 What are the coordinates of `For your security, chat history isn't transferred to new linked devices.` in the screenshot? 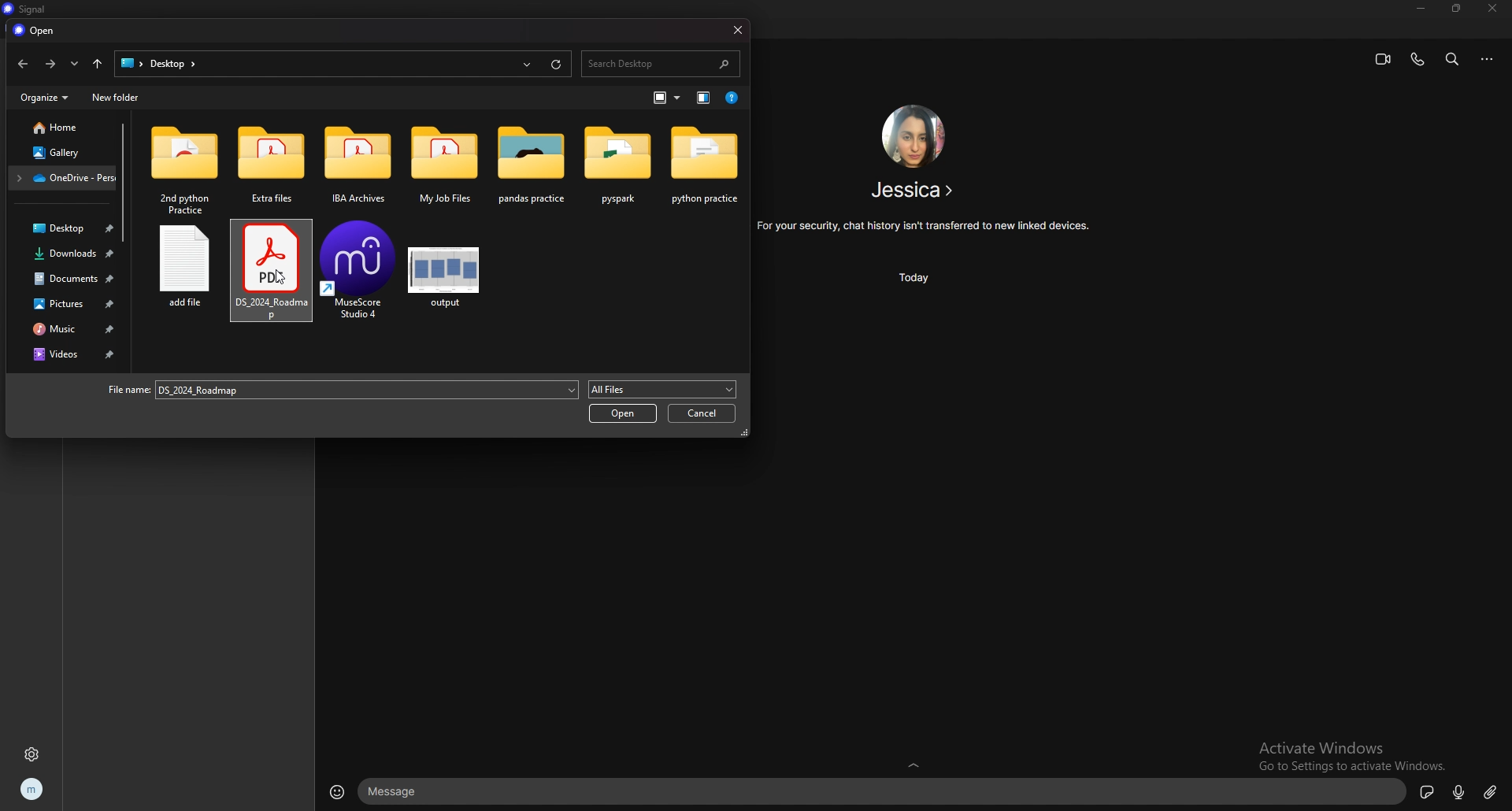 It's located at (925, 226).